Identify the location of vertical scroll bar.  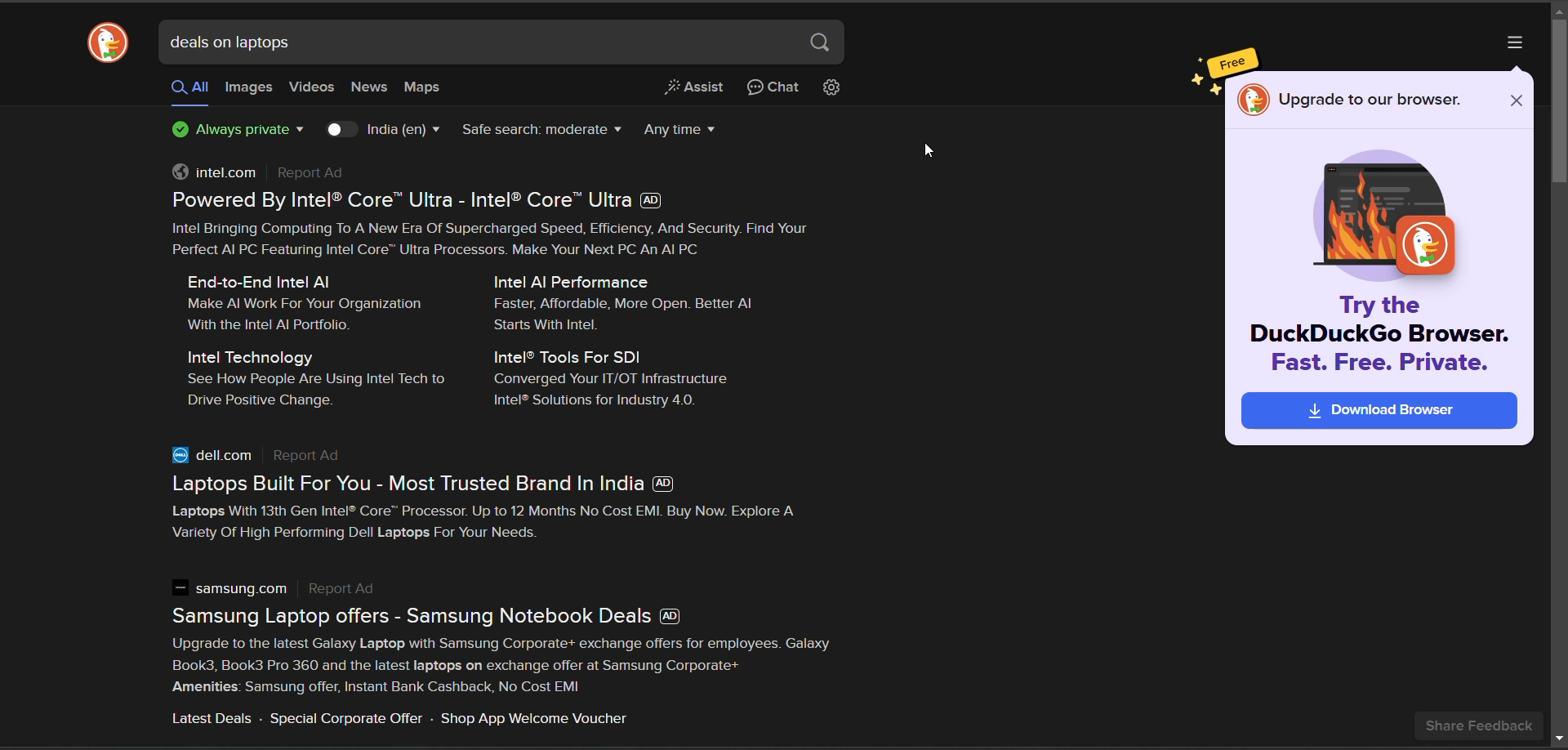
(1558, 104).